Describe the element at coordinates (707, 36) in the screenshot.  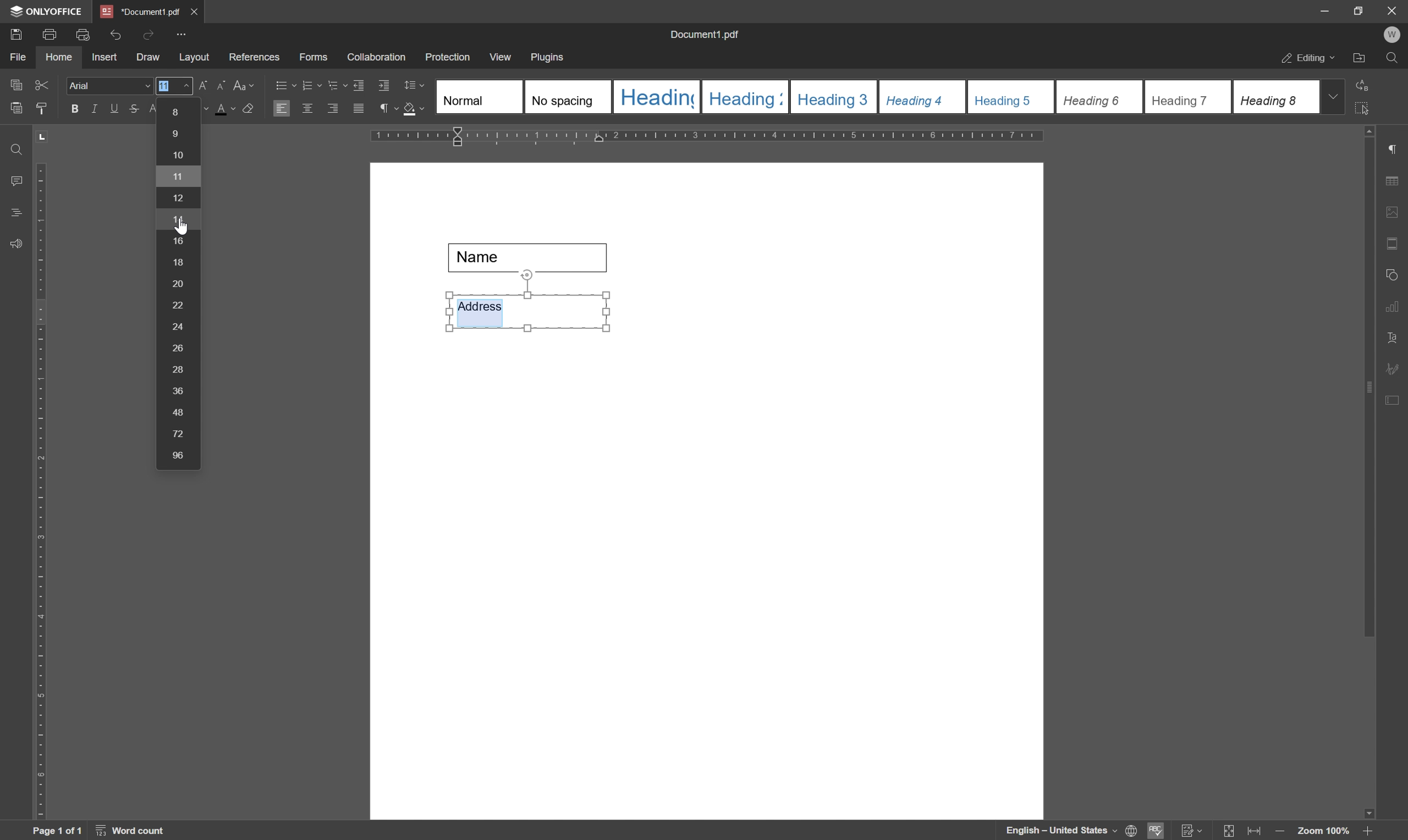
I see `document1.pdf` at that location.